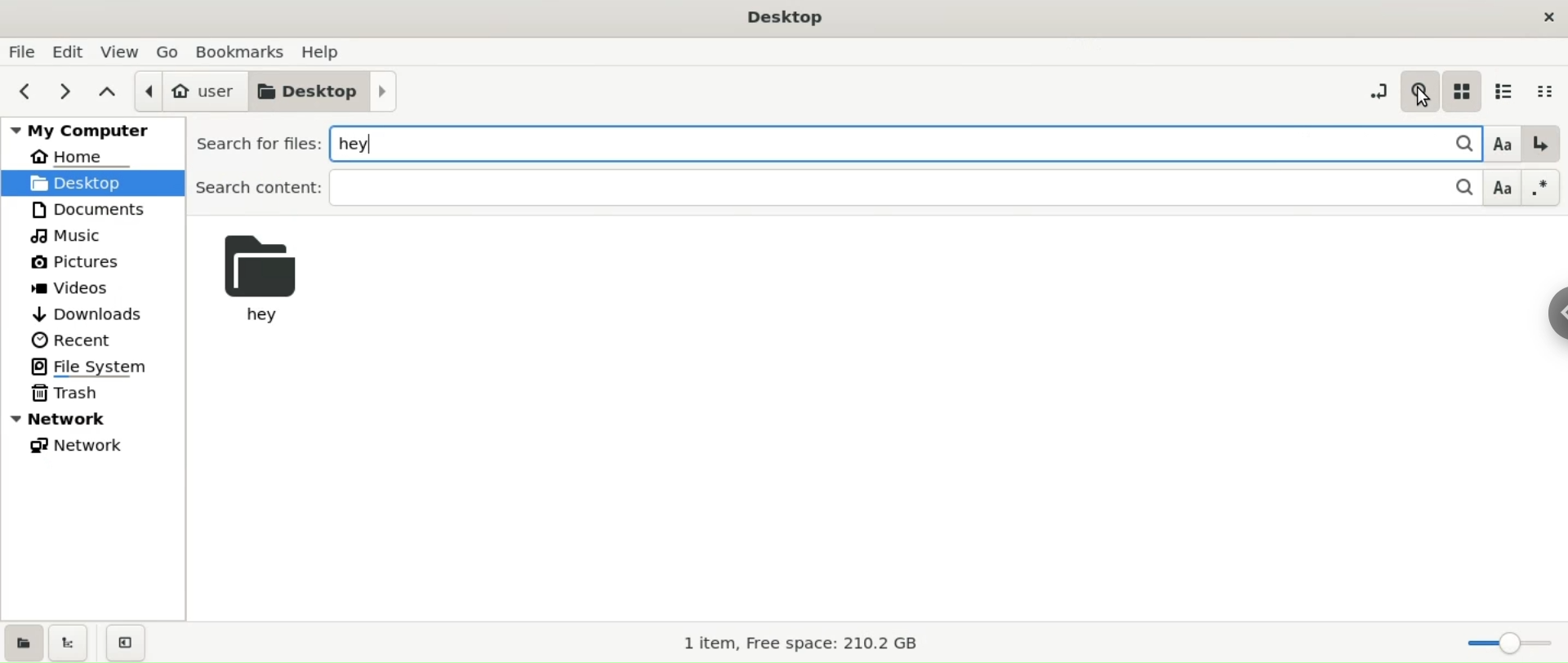  Describe the element at coordinates (167, 52) in the screenshot. I see `go` at that location.